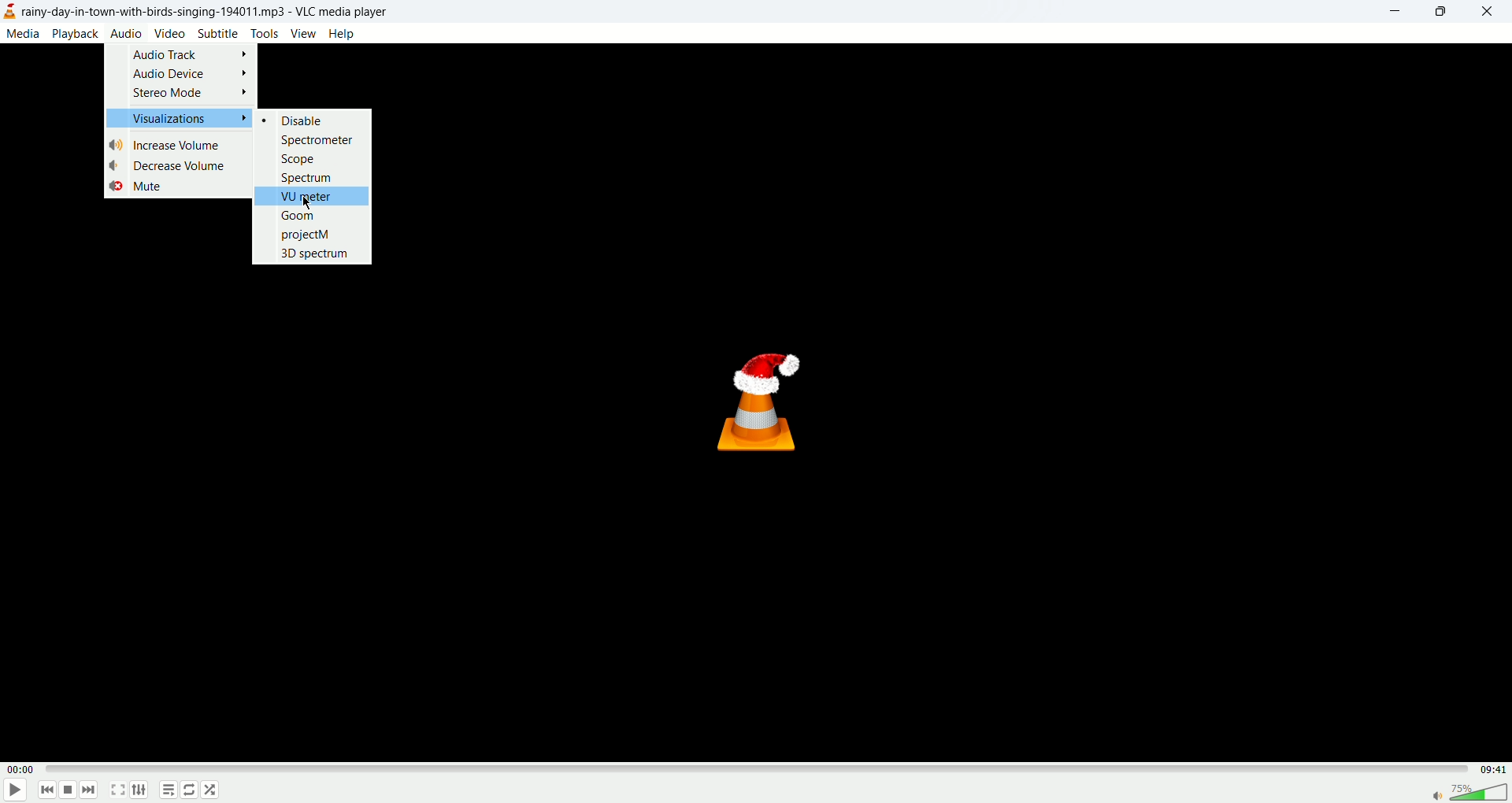 Image resolution: width=1512 pixels, height=803 pixels. I want to click on progress bar, so click(753, 770).